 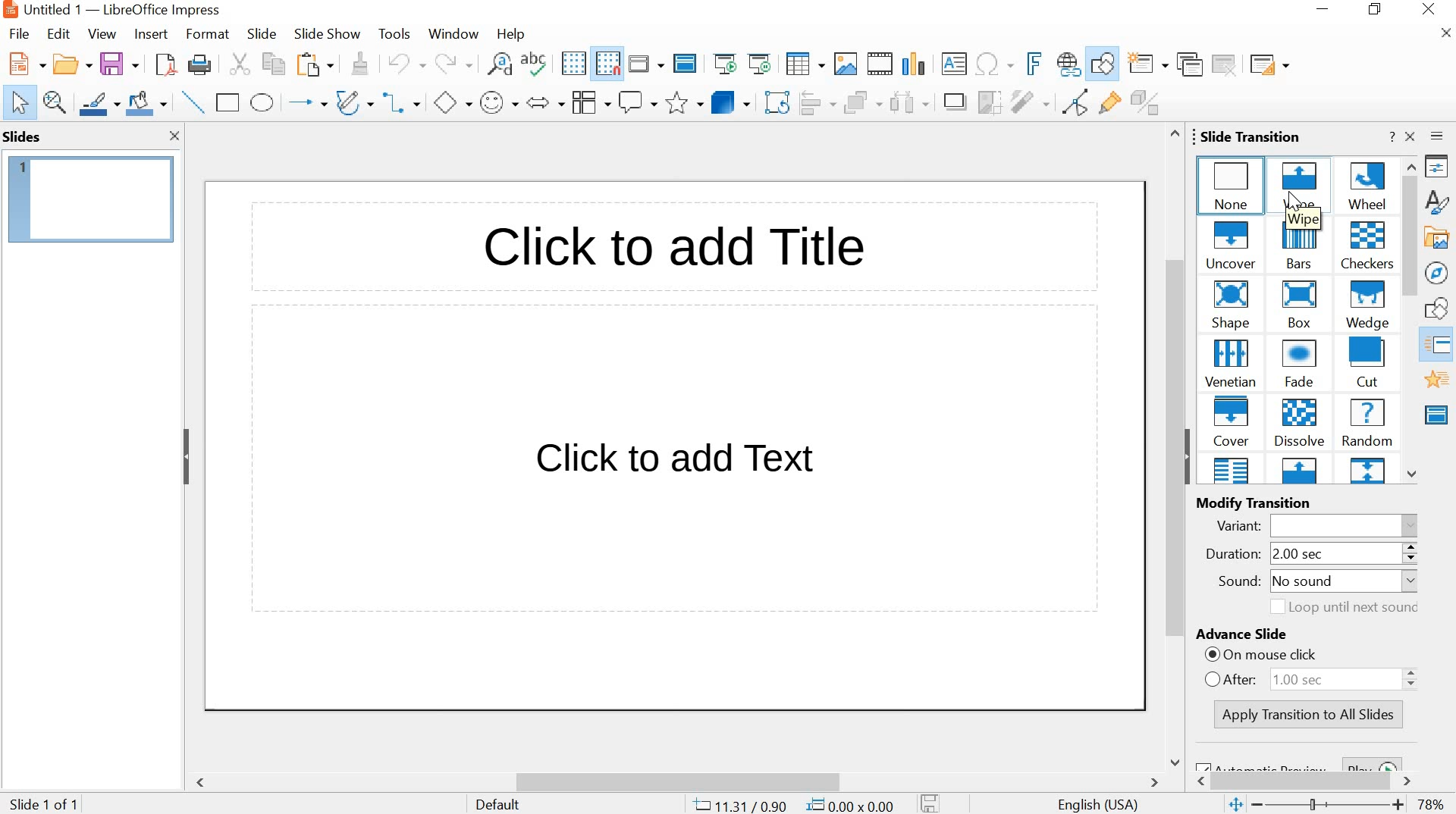 What do you see at coordinates (23, 136) in the screenshot?
I see `SLIDES` at bounding box center [23, 136].